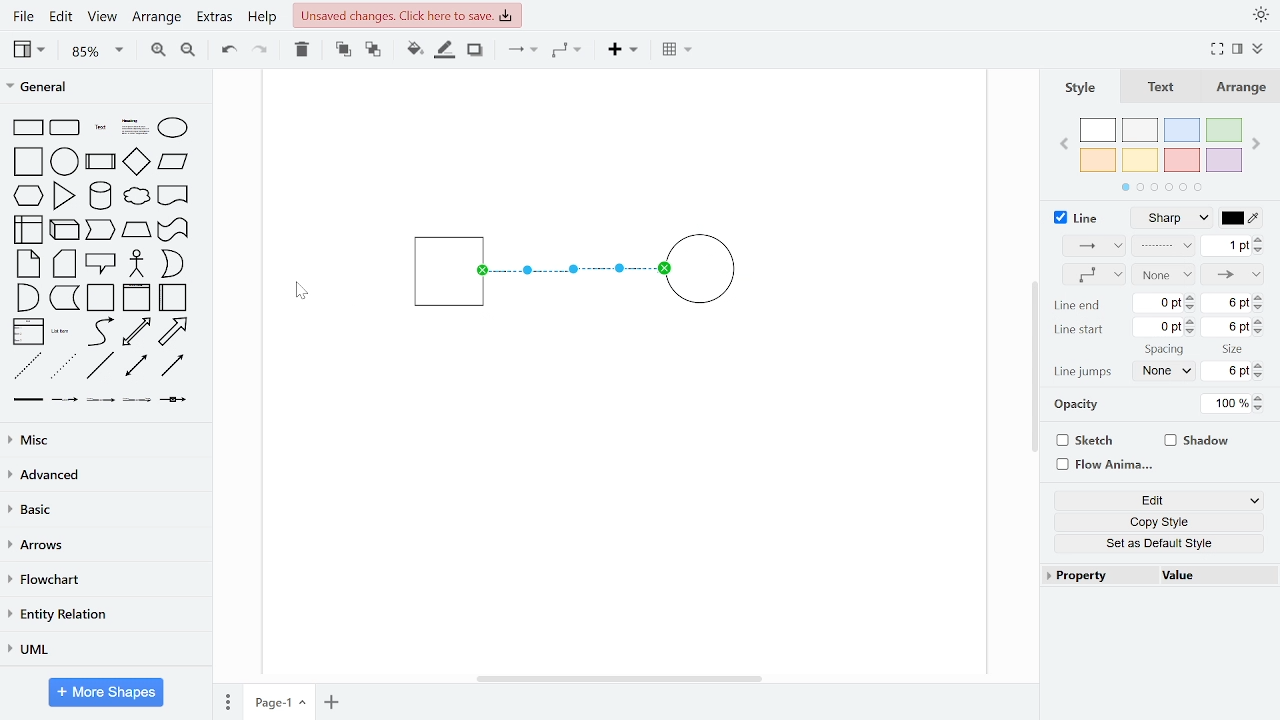 Image resolution: width=1280 pixels, height=720 pixels. Describe the element at coordinates (98, 50) in the screenshot. I see `zoom` at that location.